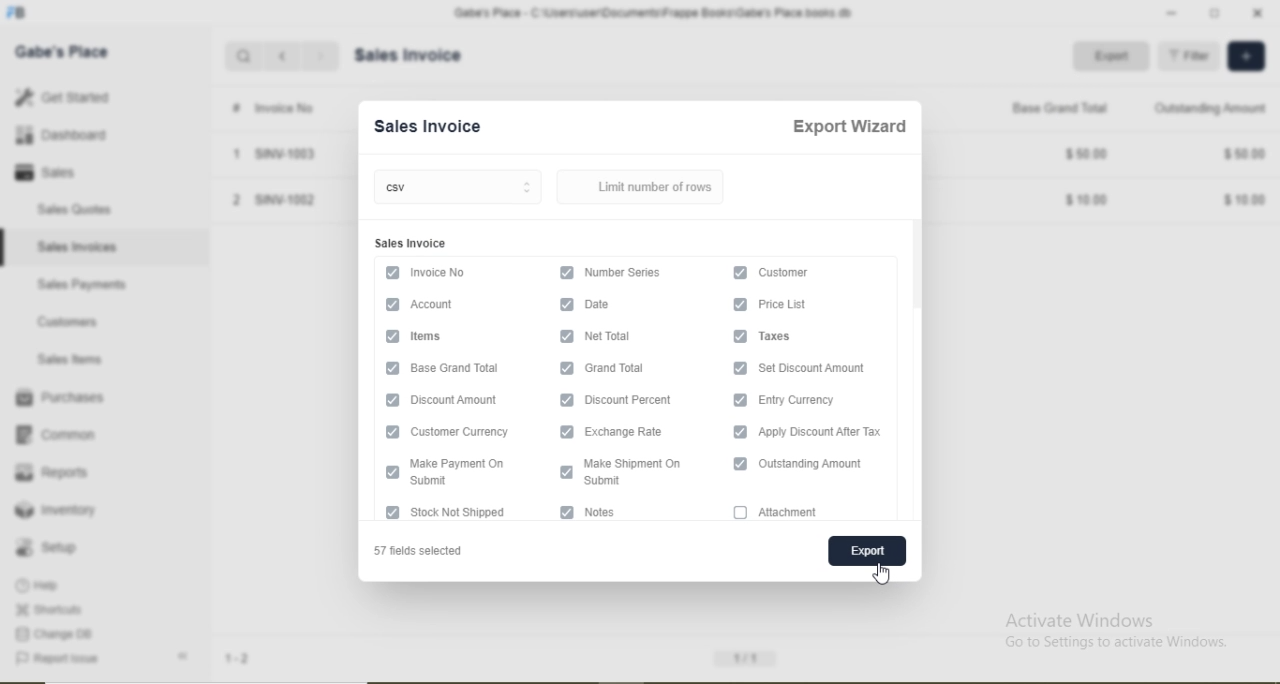 This screenshot has width=1280, height=684. What do you see at coordinates (739, 304) in the screenshot?
I see `checkbox` at bounding box center [739, 304].